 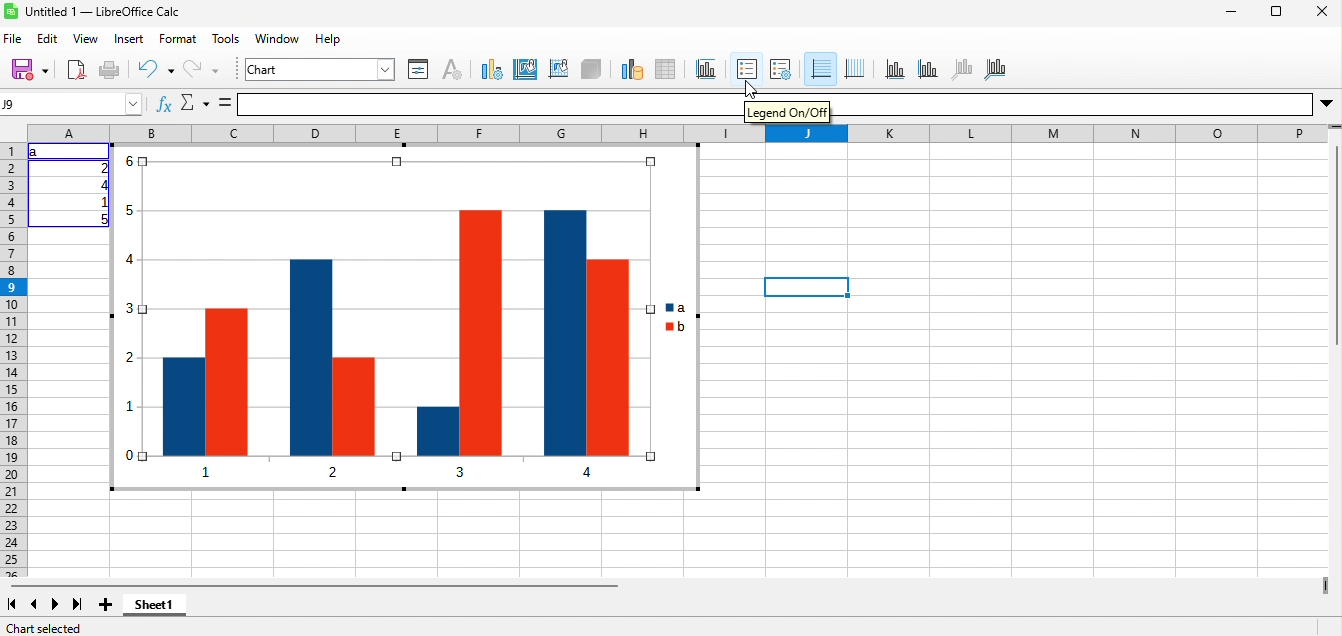 What do you see at coordinates (103, 168) in the screenshot?
I see `2` at bounding box center [103, 168].